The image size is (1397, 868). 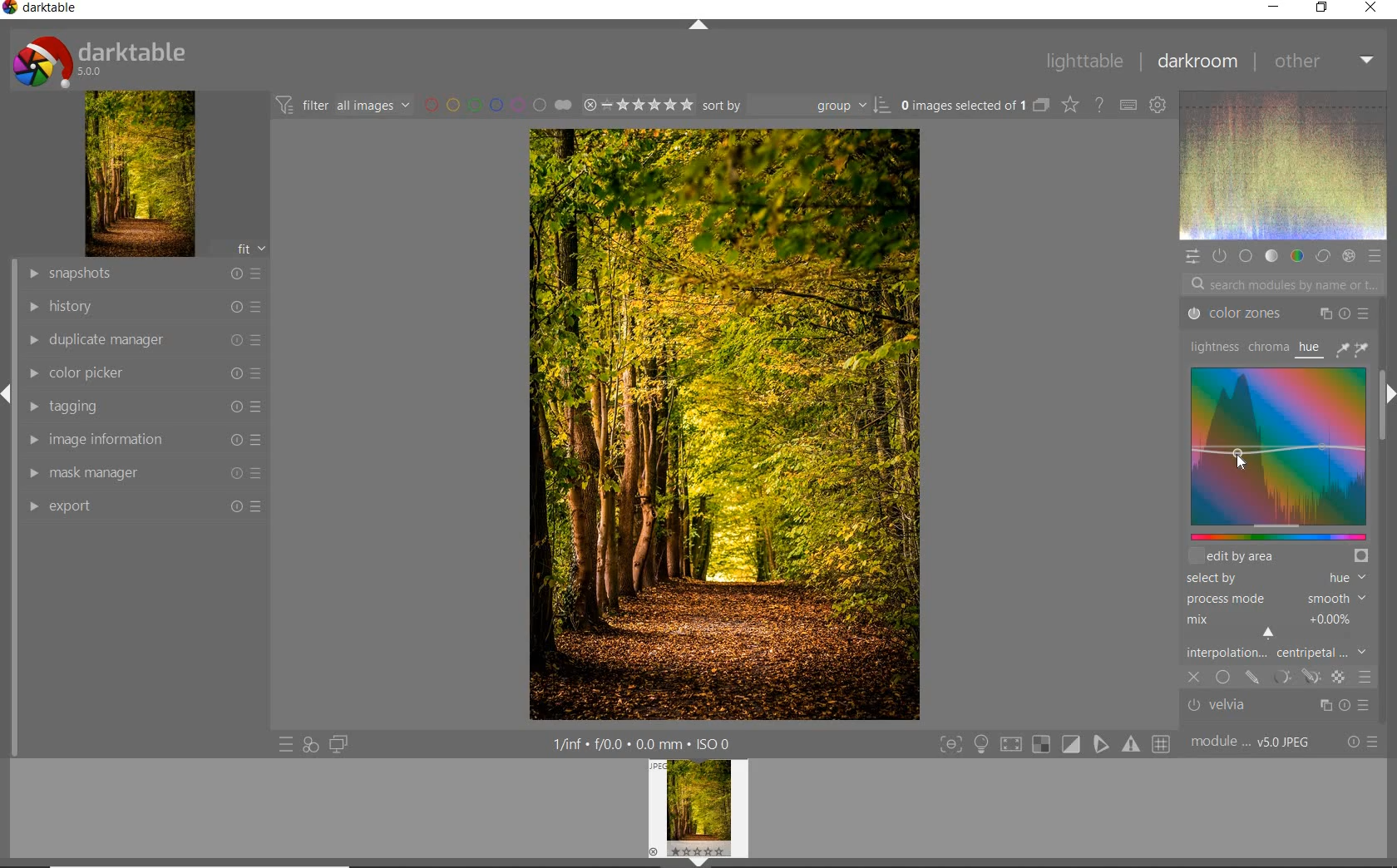 I want to click on process mode, so click(x=1281, y=598).